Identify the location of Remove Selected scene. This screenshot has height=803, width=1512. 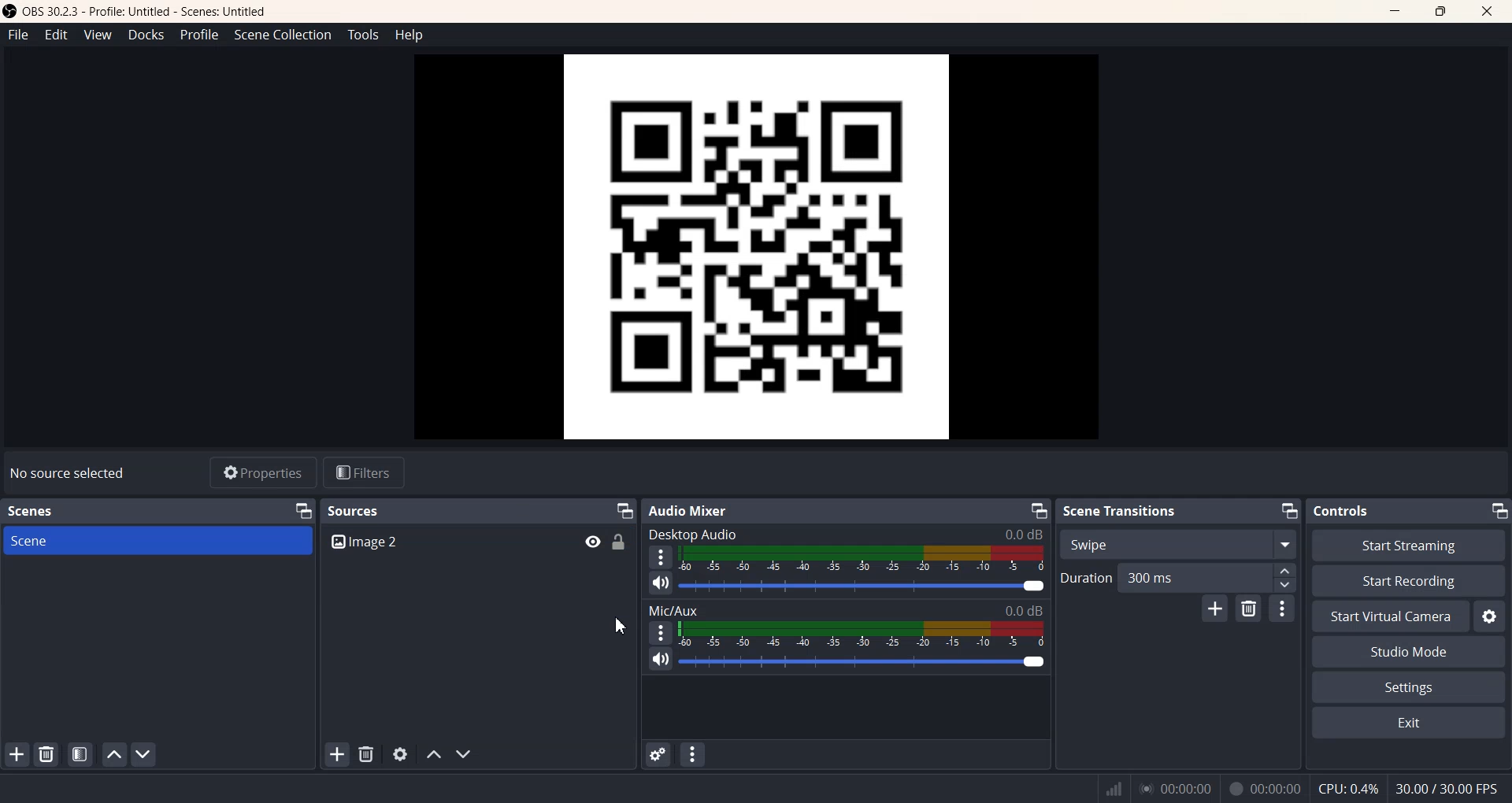
(46, 753).